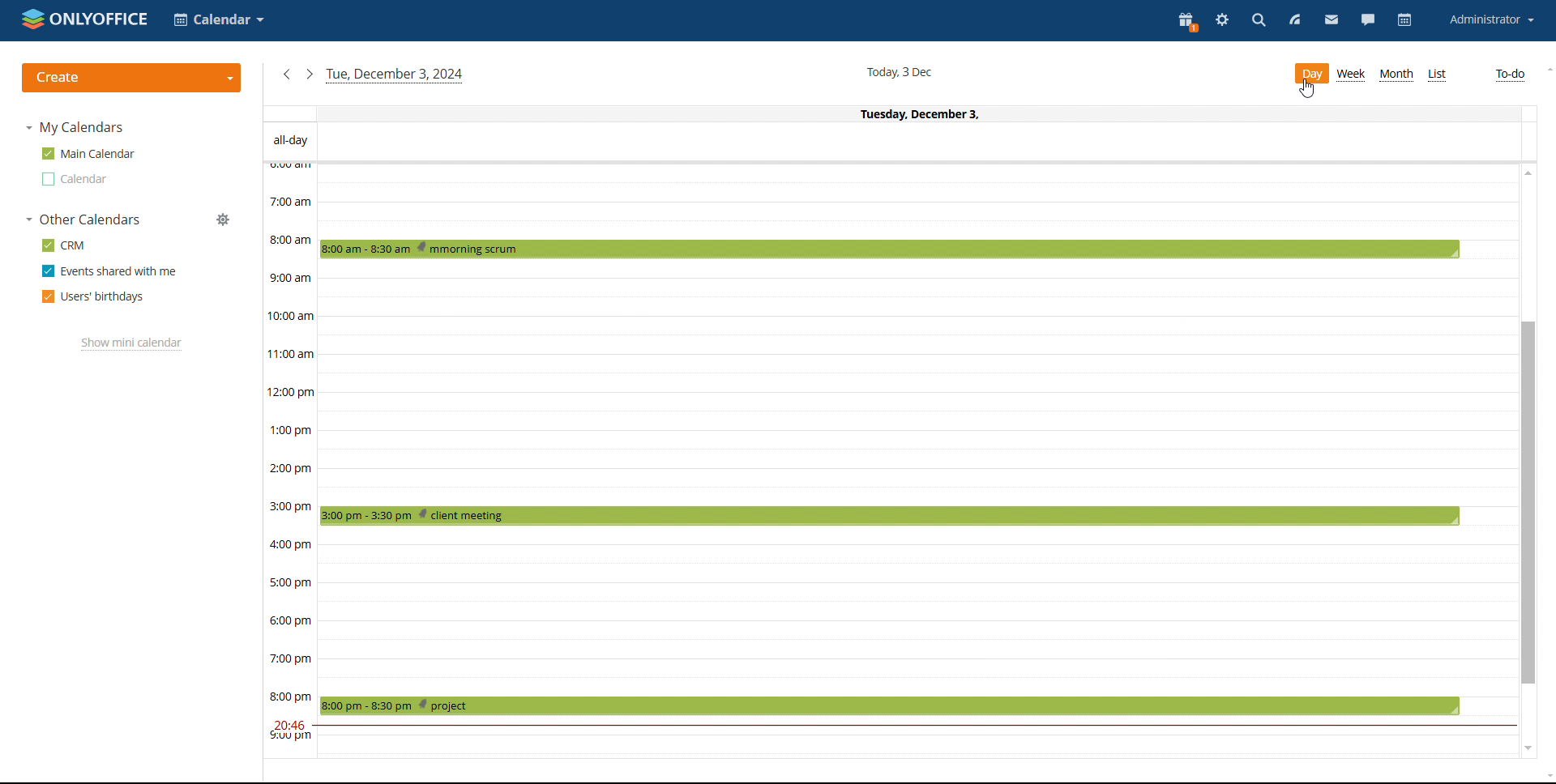 Image resolution: width=1556 pixels, height=784 pixels. What do you see at coordinates (223, 219) in the screenshot?
I see `manage` at bounding box center [223, 219].